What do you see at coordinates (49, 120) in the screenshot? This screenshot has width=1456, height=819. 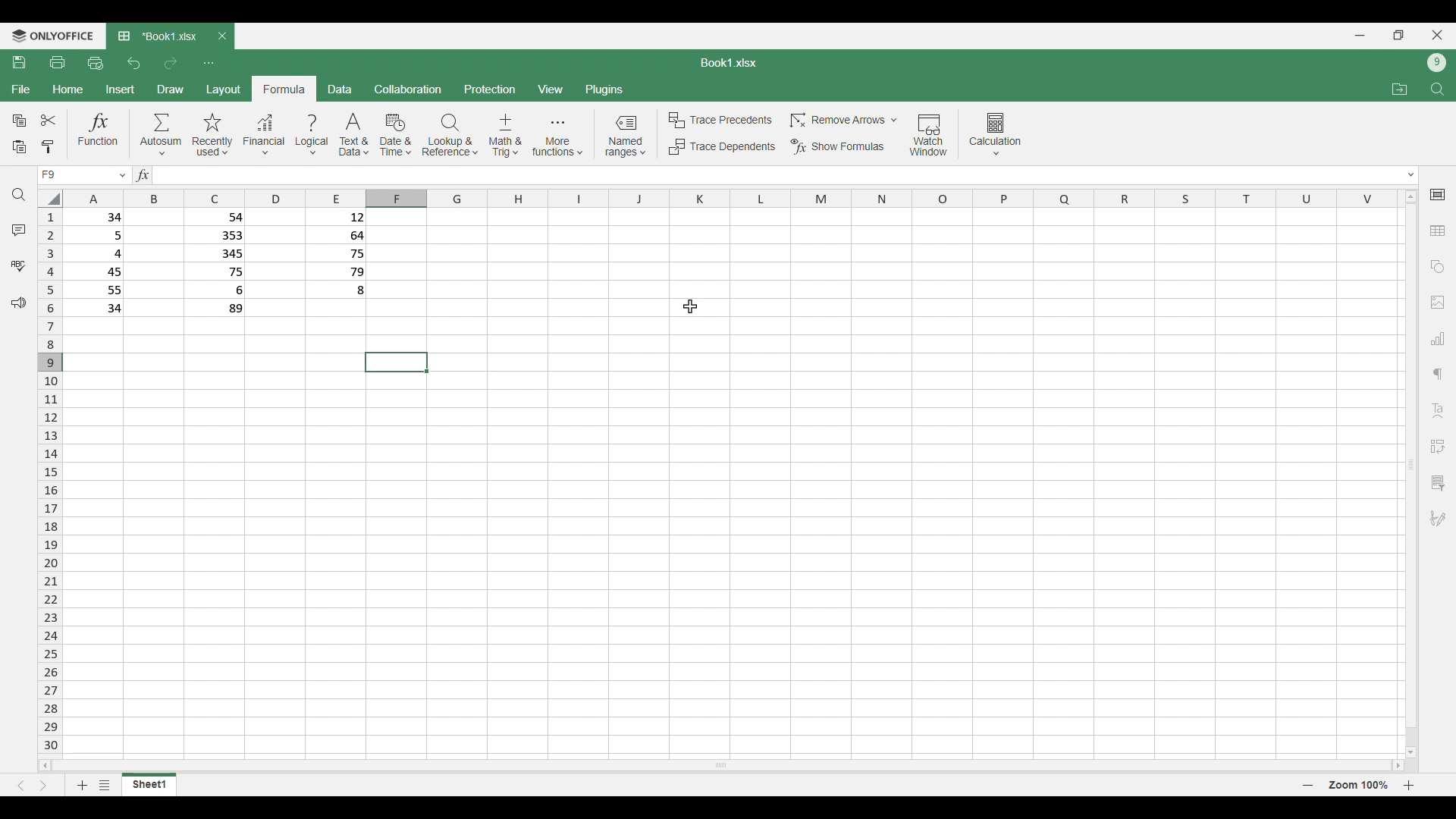 I see `Cut` at bounding box center [49, 120].